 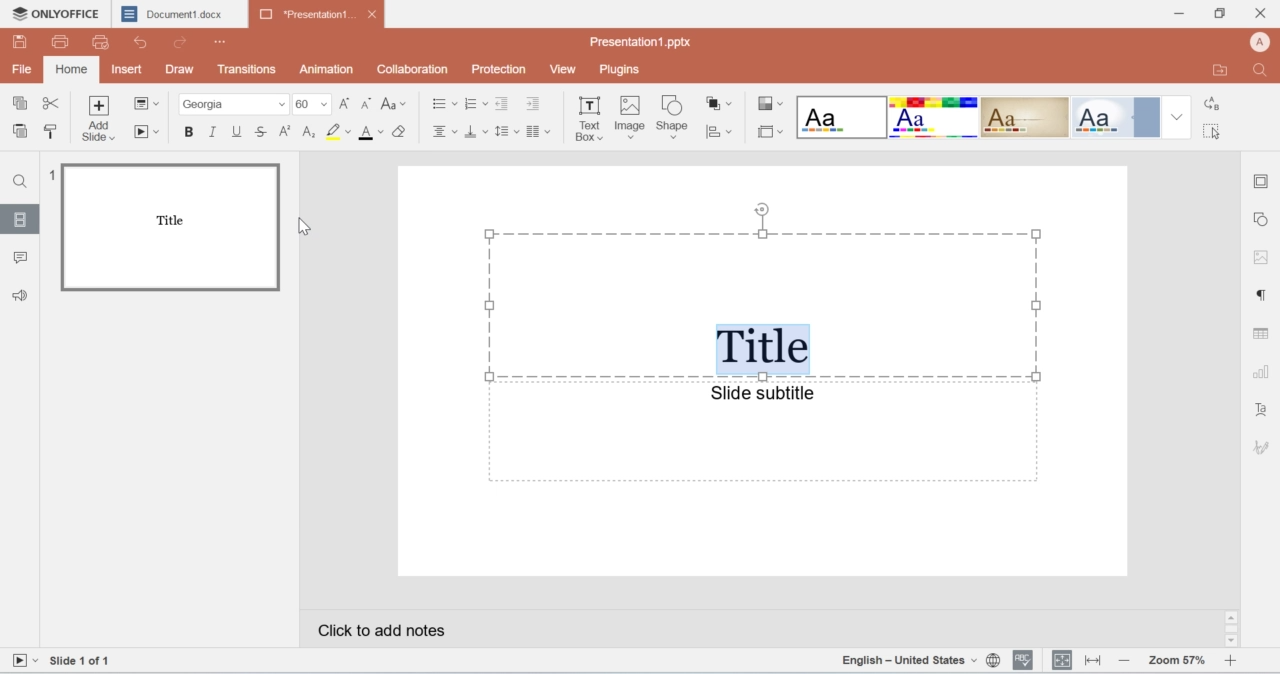 I want to click on graph settings, so click(x=1259, y=375).